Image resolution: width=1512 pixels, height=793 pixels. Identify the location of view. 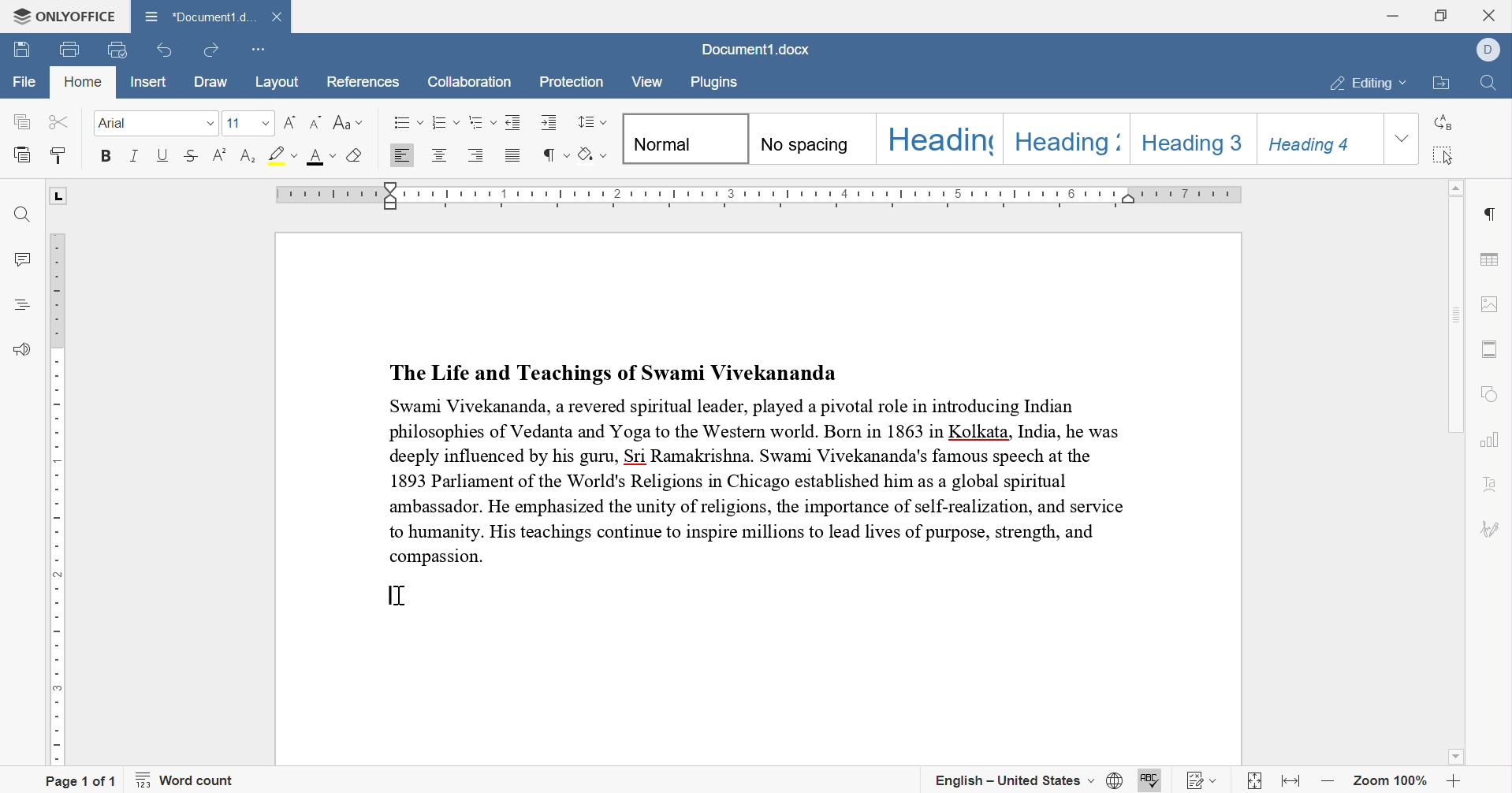
(646, 84).